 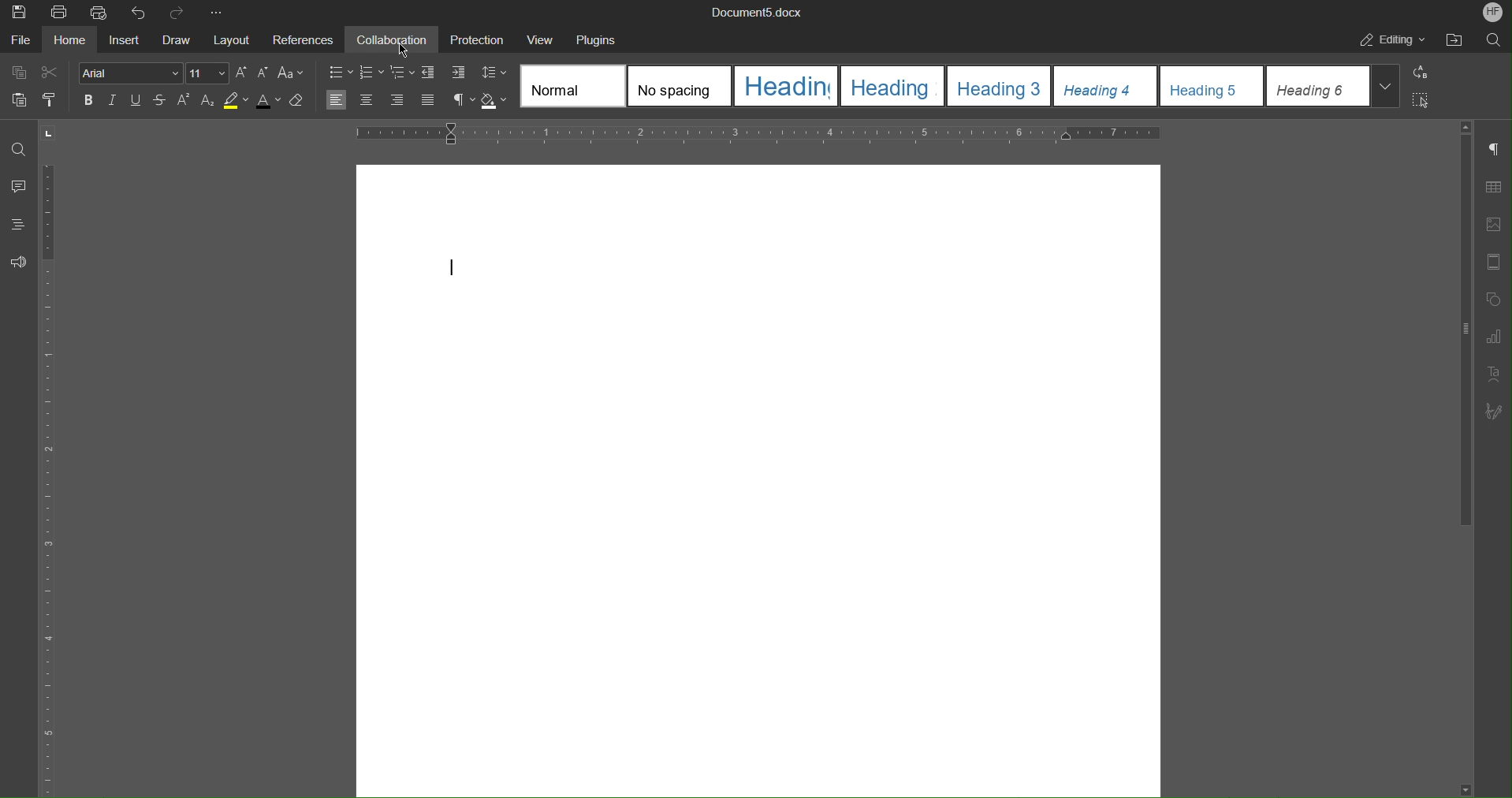 What do you see at coordinates (99, 13) in the screenshot?
I see `Quick Print` at bounding box center [99, 13].